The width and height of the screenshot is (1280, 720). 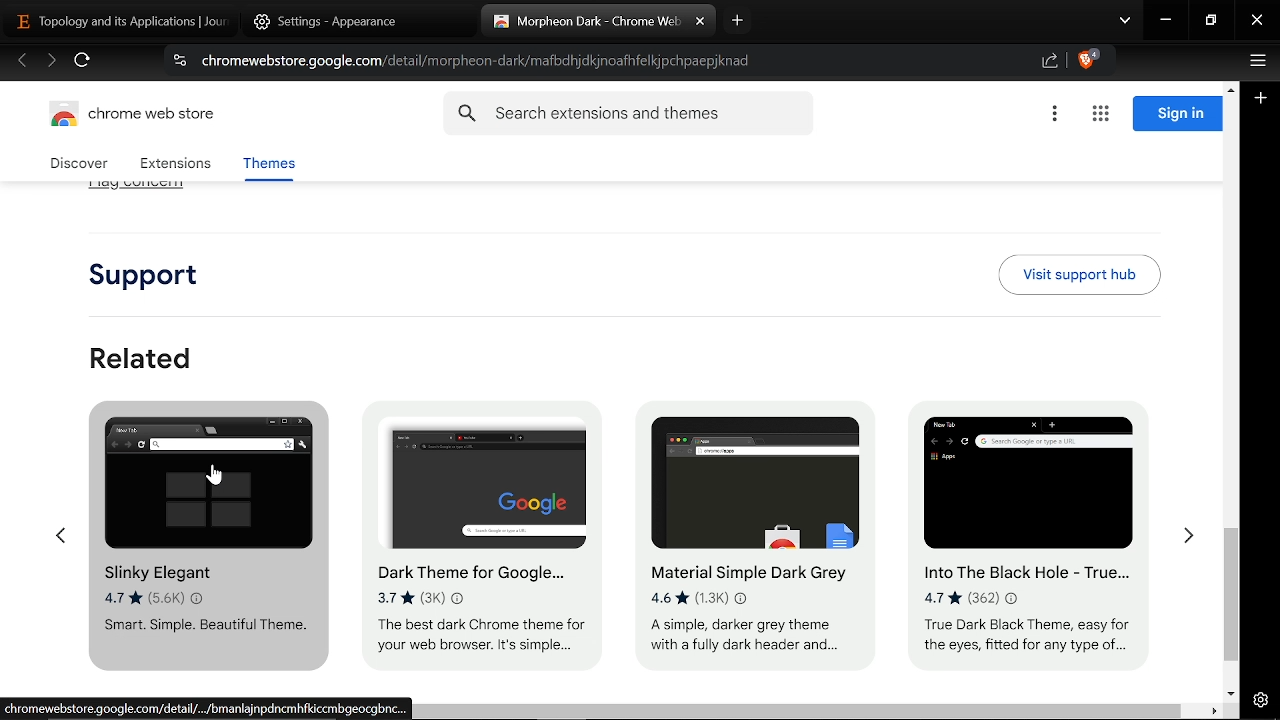 What do you see at coordinates (1262, 100) in the screenshot?
I see `Plus` at bounding box center [1262, 100].